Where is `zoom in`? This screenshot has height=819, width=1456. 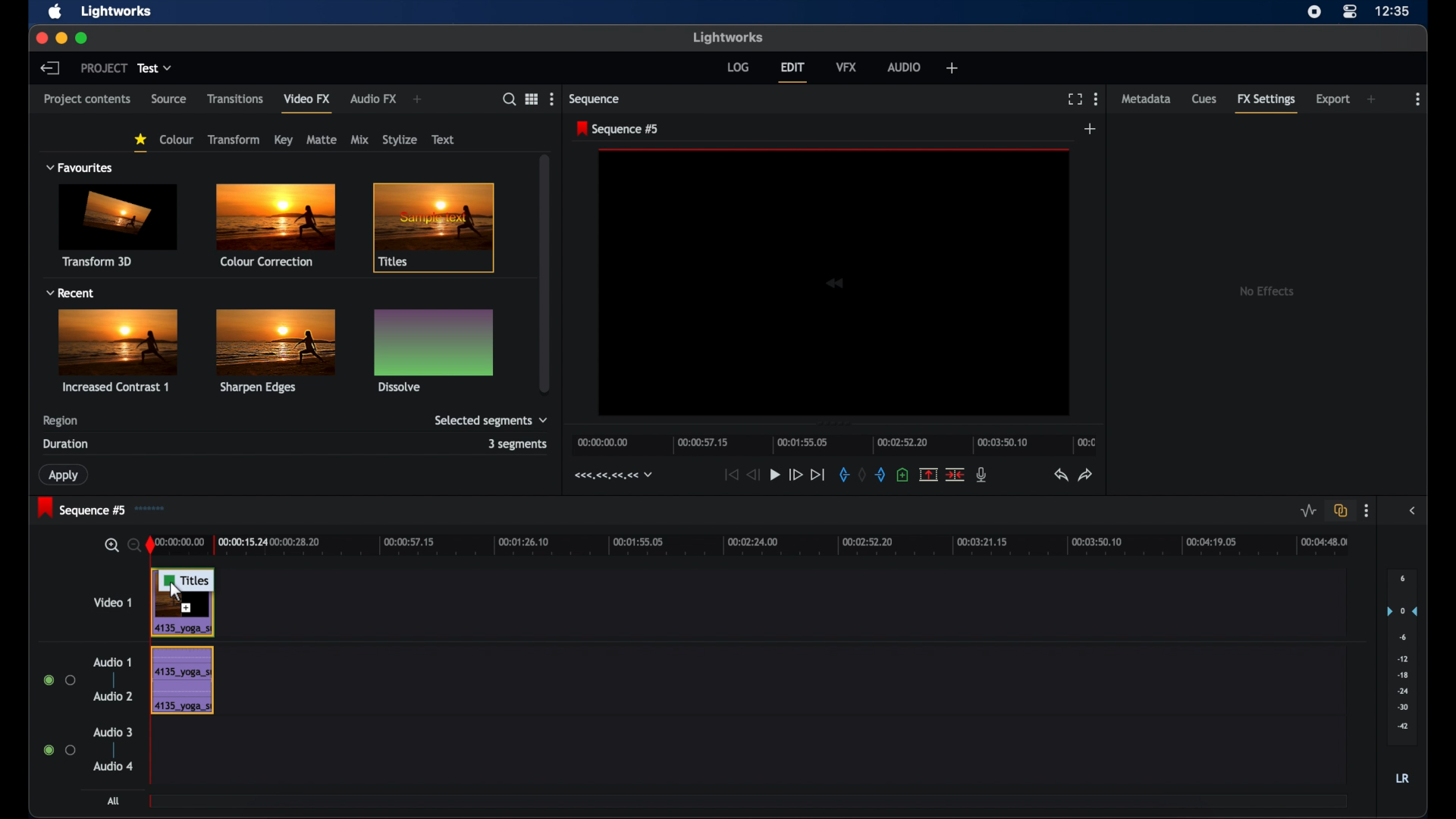
zoom in is located at coordinates (111, 545).